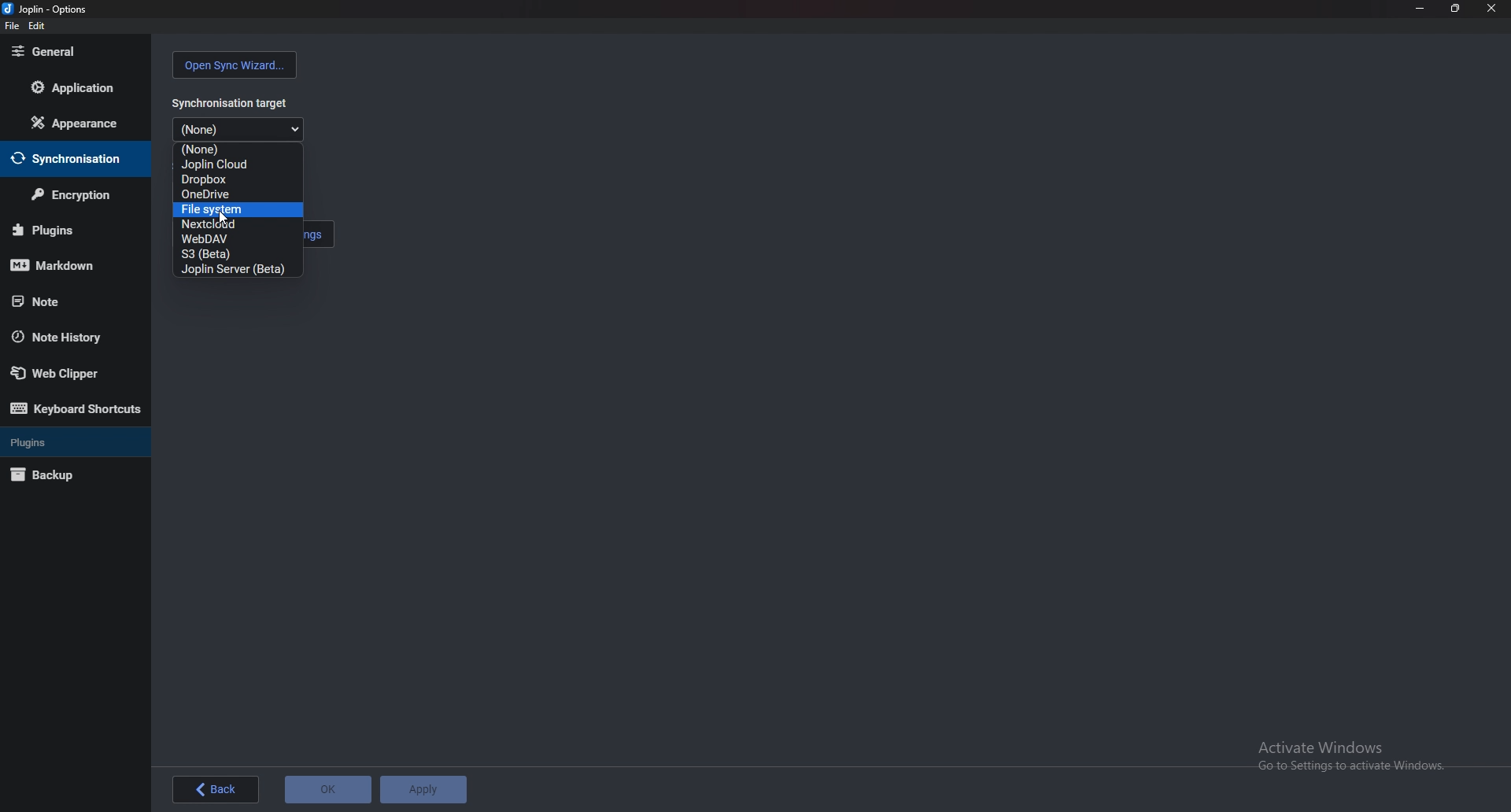  Describe the element at coordinates (76, 159) in the screenshot. I see `Synchronization` at that location.